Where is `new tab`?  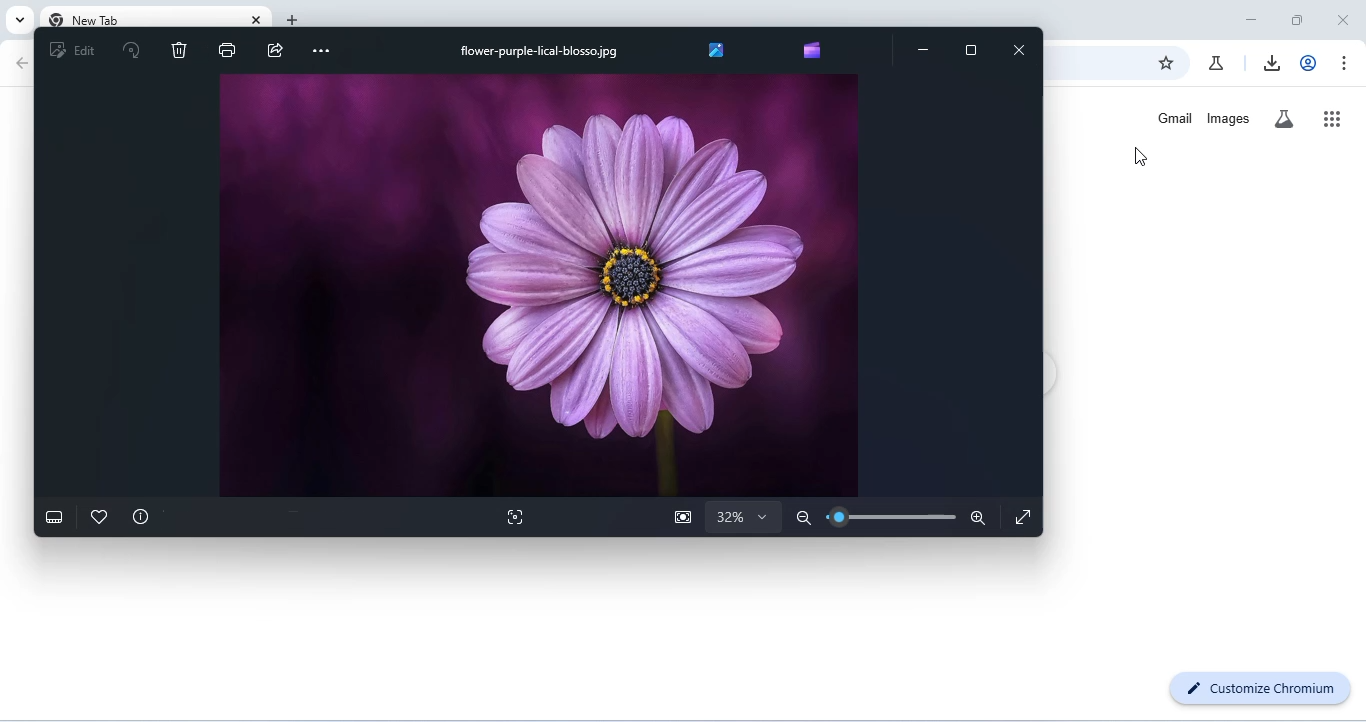 new tab is located at coordinates (88, 18).